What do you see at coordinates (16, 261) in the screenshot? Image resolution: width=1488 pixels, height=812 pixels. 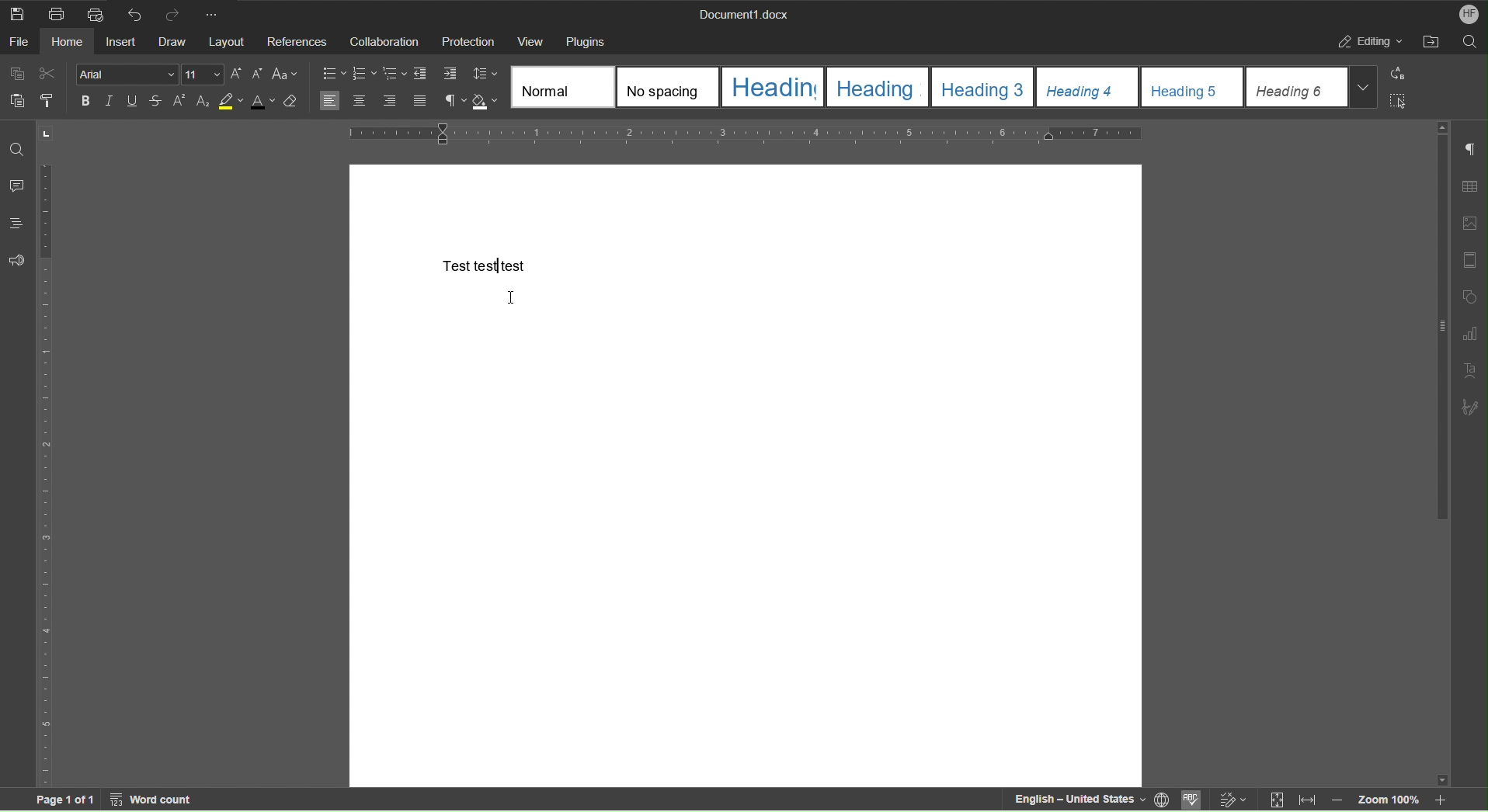 I see `Feedback and Support` at bounding box center [16, 261].